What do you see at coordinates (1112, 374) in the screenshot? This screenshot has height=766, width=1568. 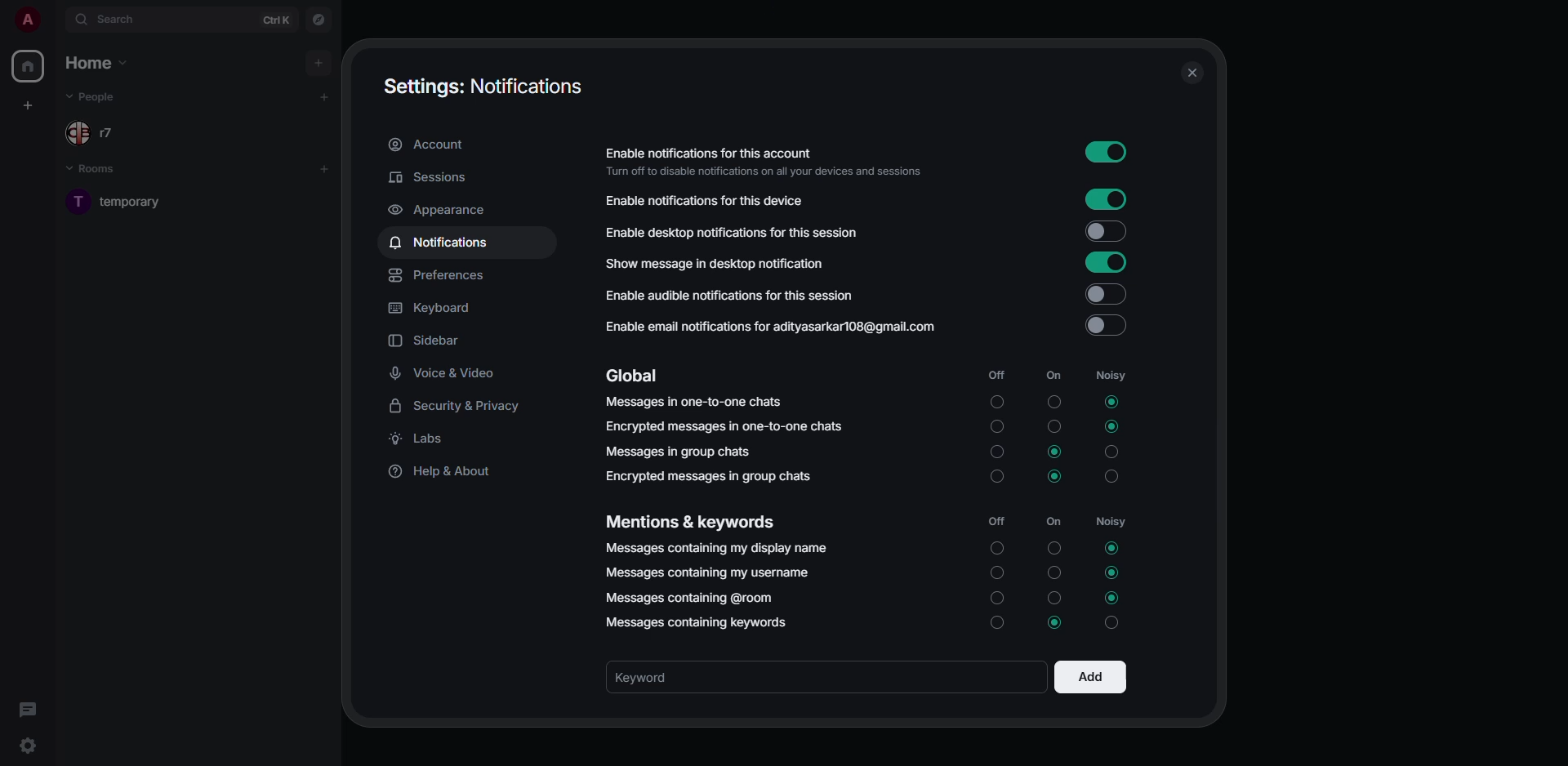 I see `noisy` at bounding box center [1112, 374].